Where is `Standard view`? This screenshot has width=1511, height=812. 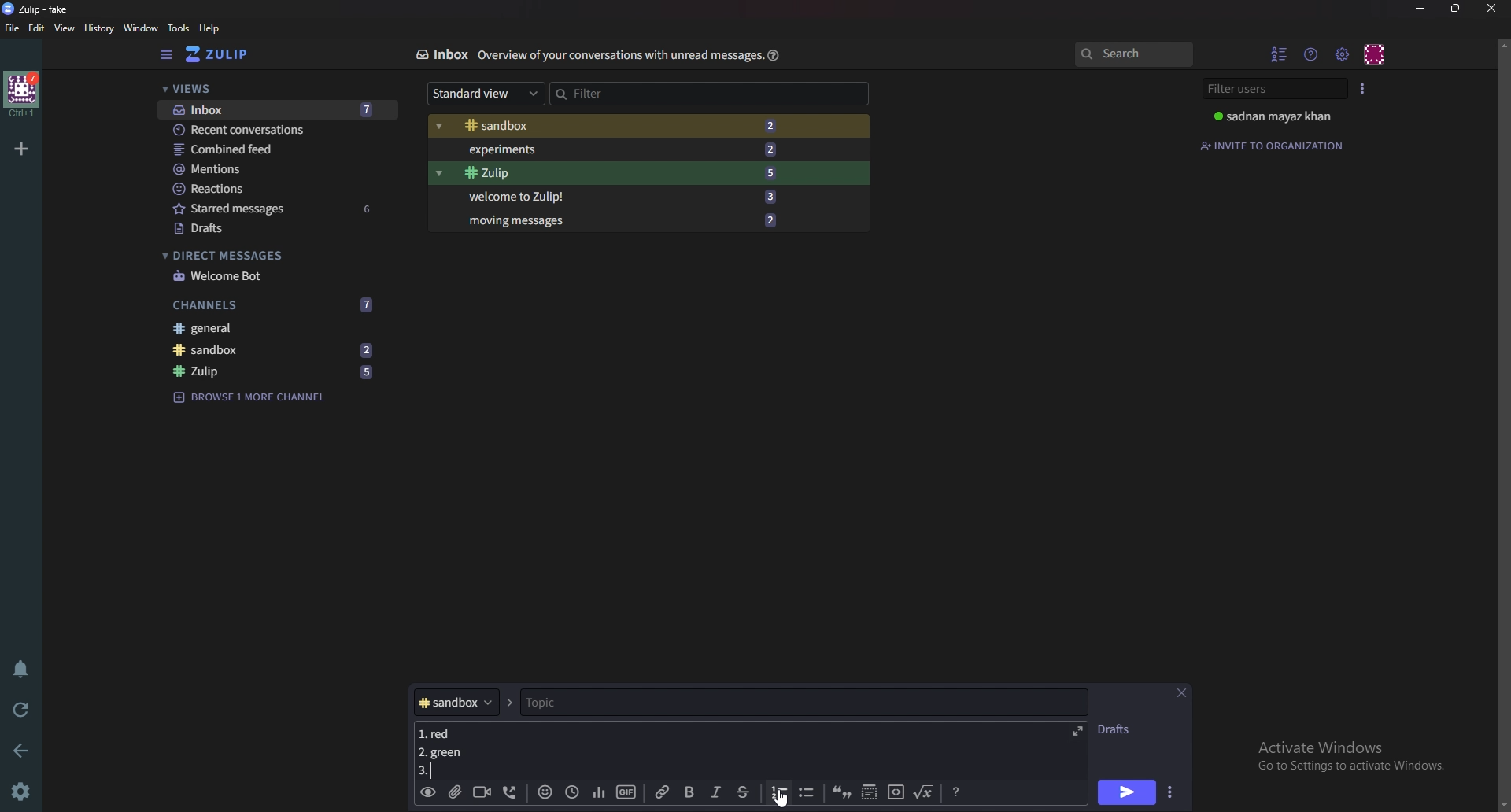 Standard view is located at coordinates (481, 94).